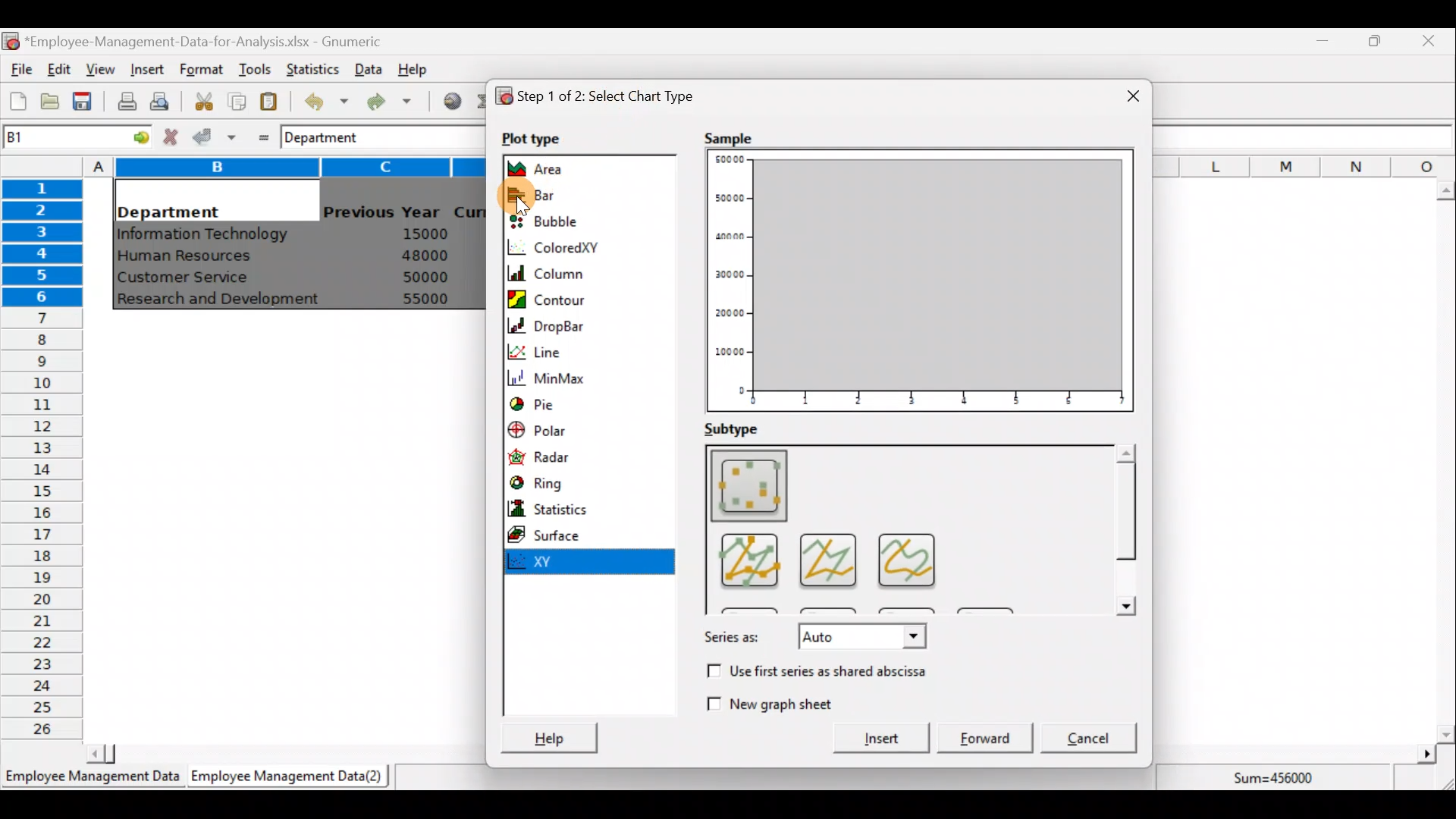 This screenshot has width=1456, height=819. I want to click on Scroll bar, so click(282, 754).